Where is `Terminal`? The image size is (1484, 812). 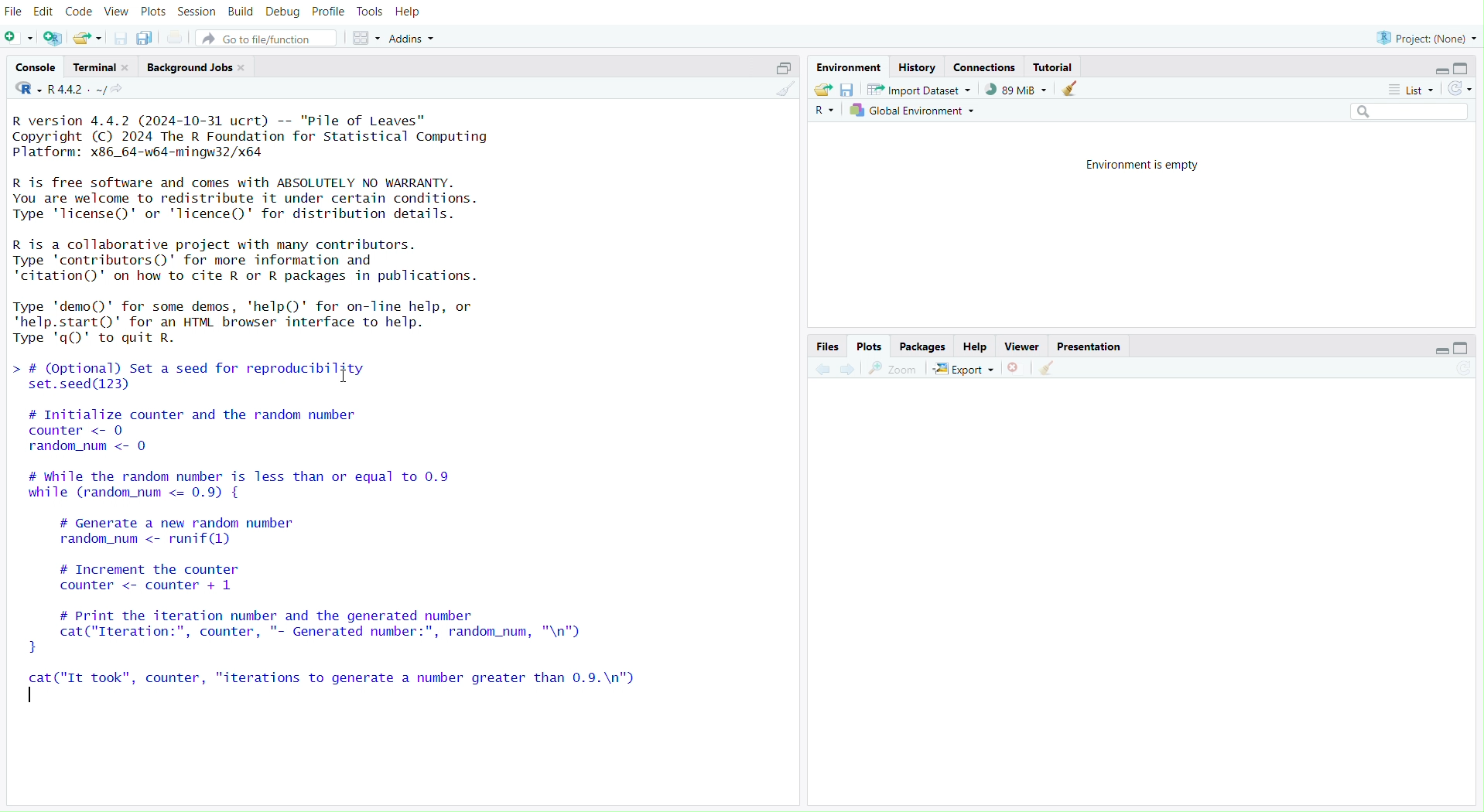 Terminal is located at coordinates (97, 69).